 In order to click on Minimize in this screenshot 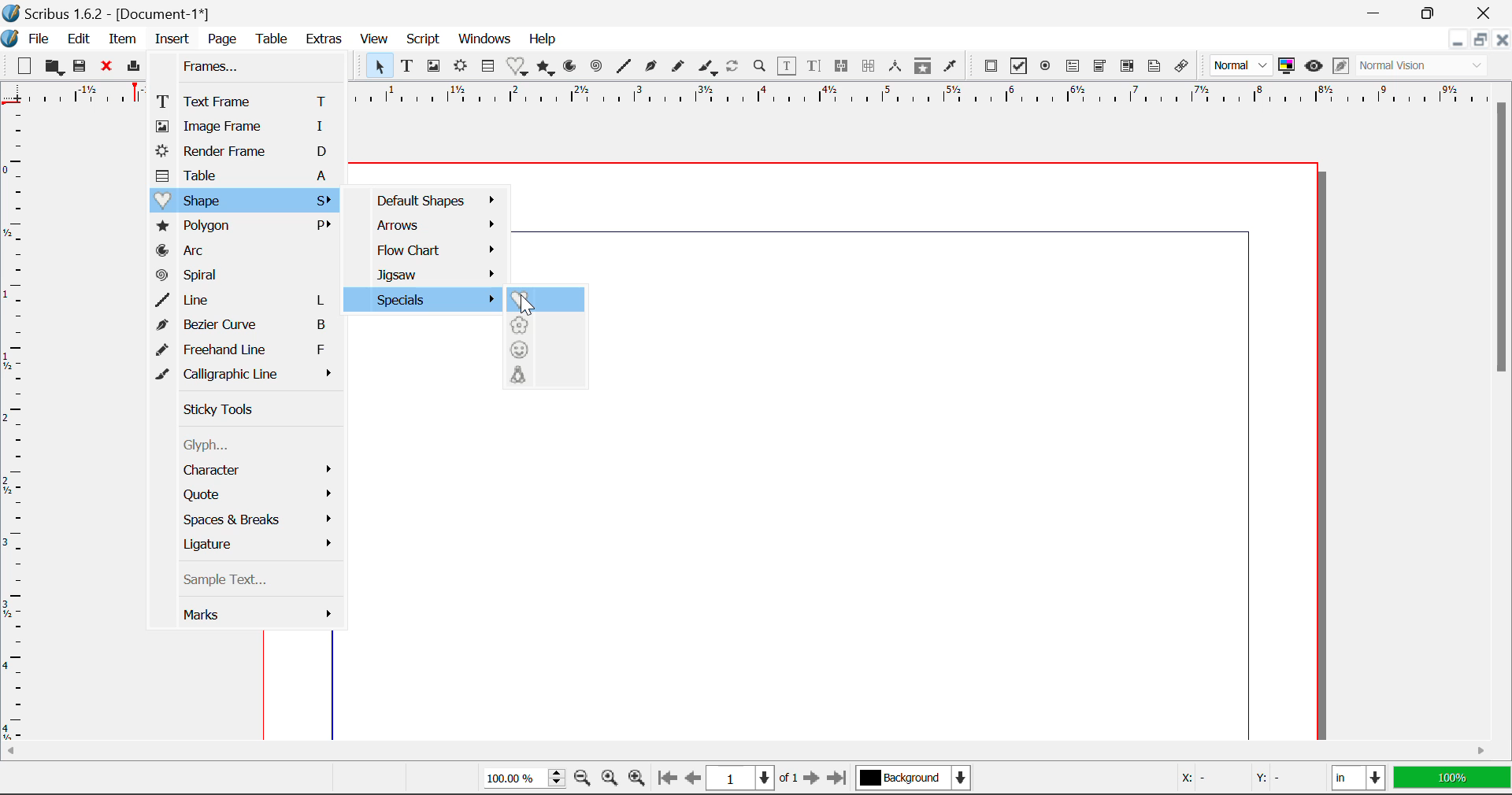, I will do `click(1436, 13)`.